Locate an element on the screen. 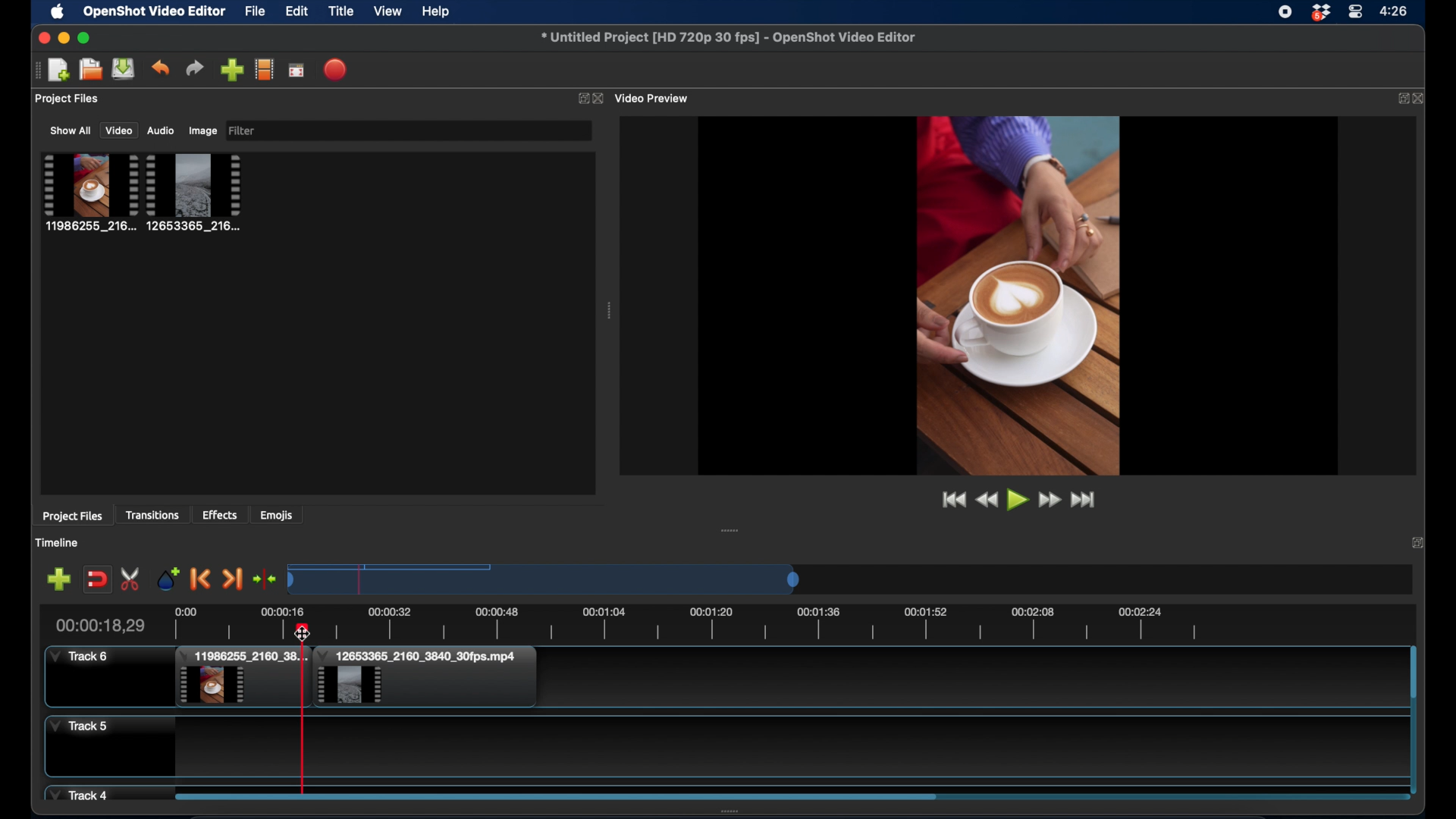  play is located at coordinates (1017, 501).